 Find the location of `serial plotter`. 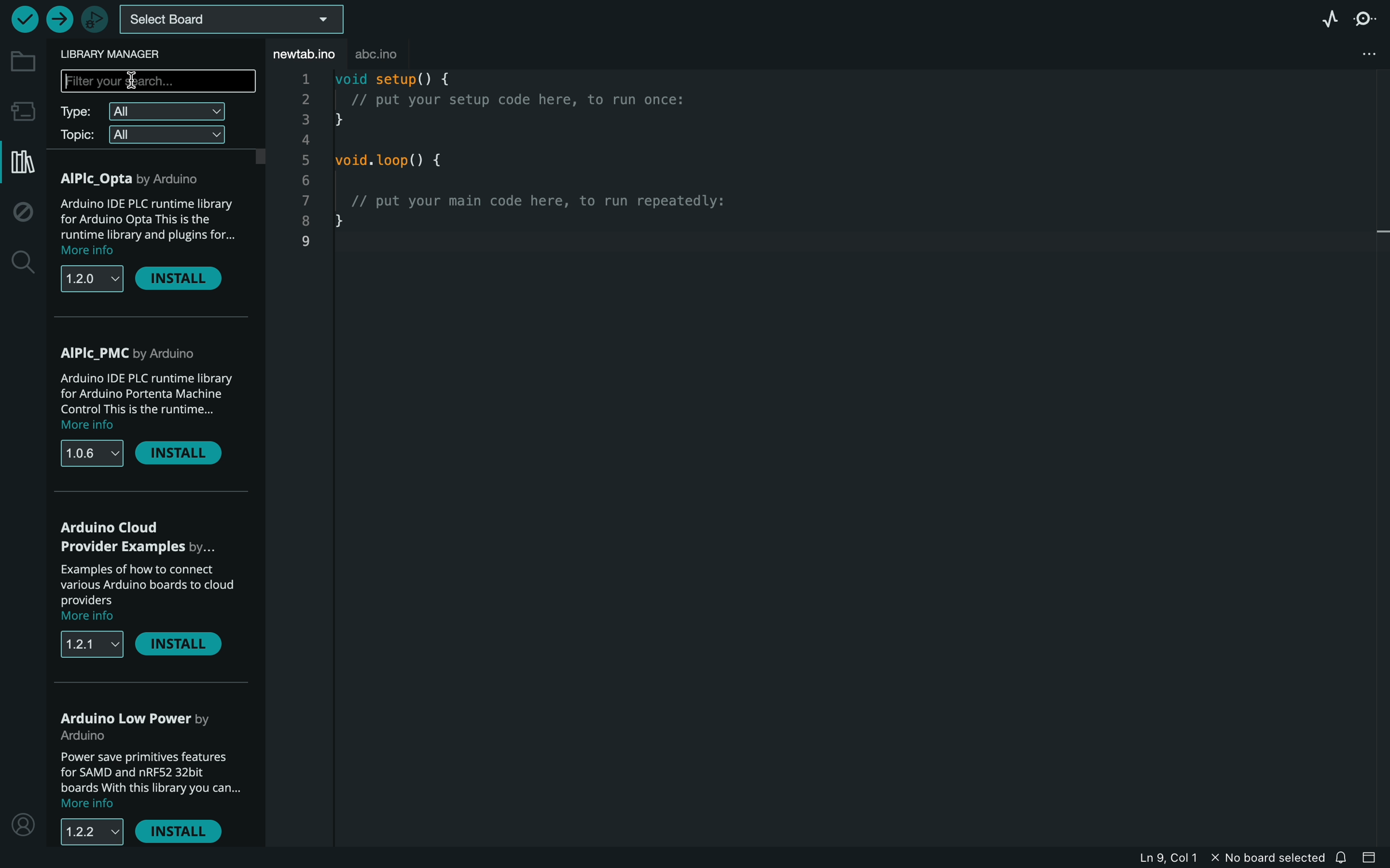

serial plotter is located at coordinates (1320, 21).